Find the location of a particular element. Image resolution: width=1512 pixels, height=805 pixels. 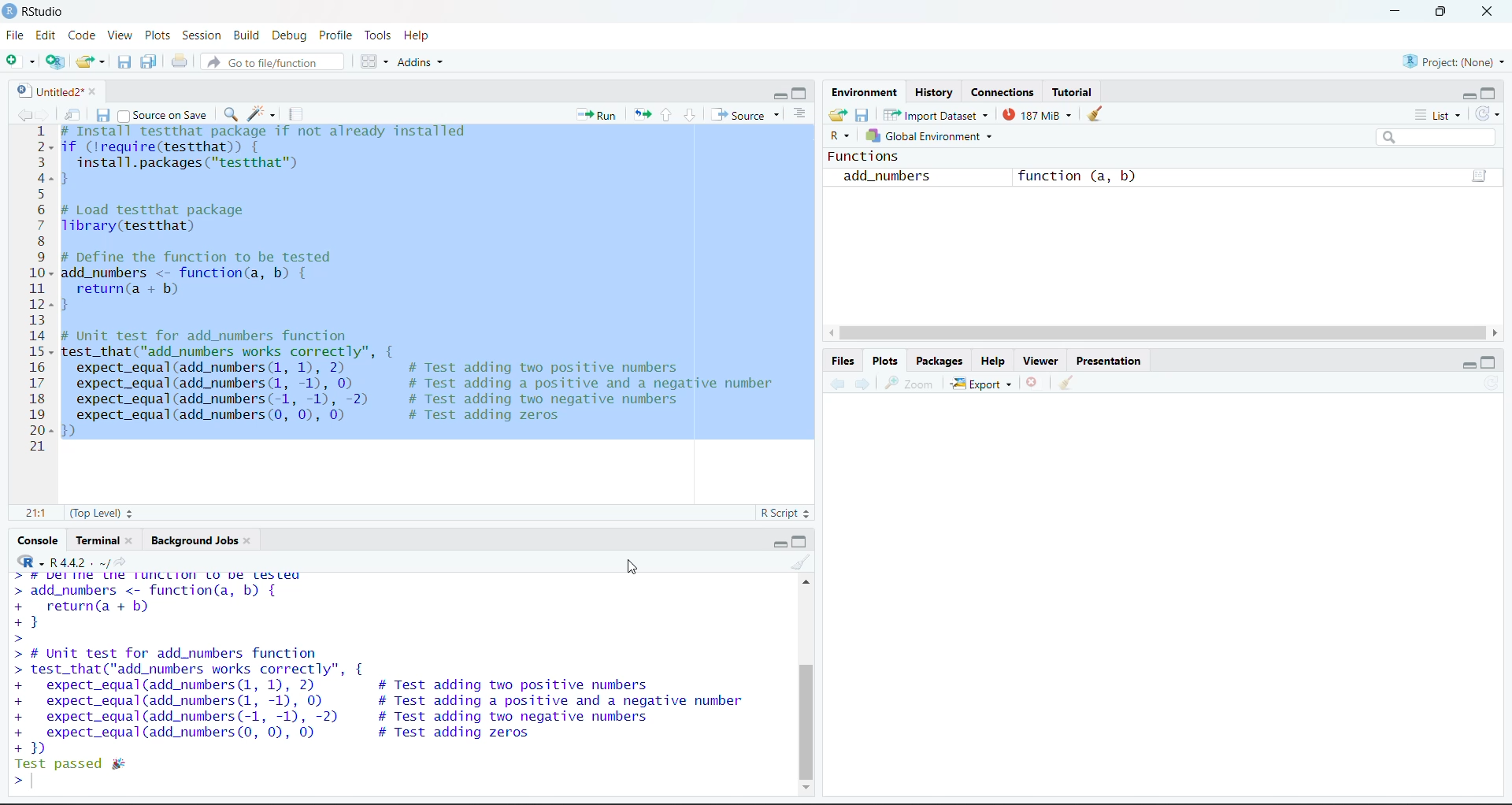

Terminal is located at coordinates (99, 540).